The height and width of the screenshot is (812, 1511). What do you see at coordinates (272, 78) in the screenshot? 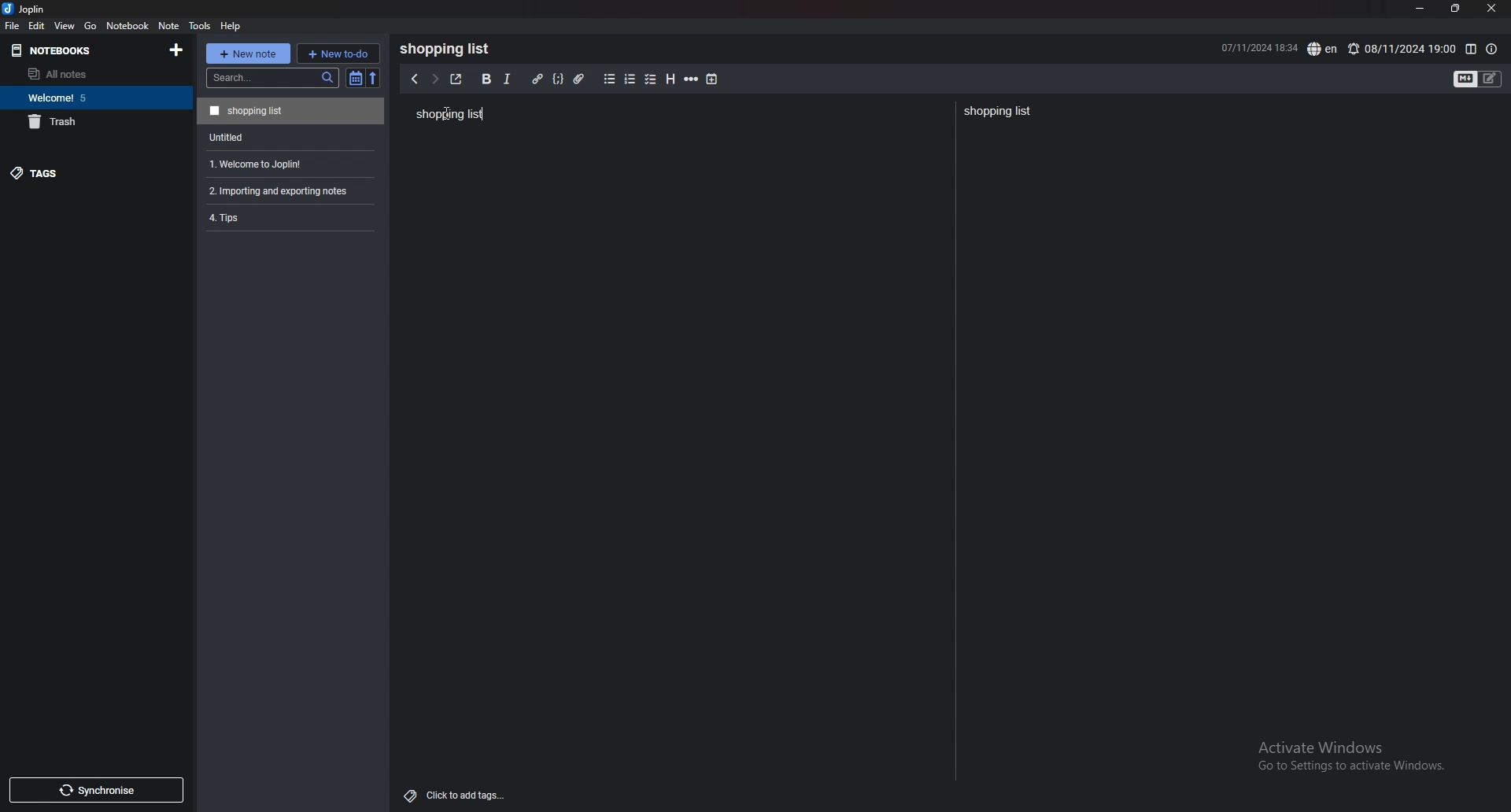
I see `search bar` at bounding box center [272, 78].